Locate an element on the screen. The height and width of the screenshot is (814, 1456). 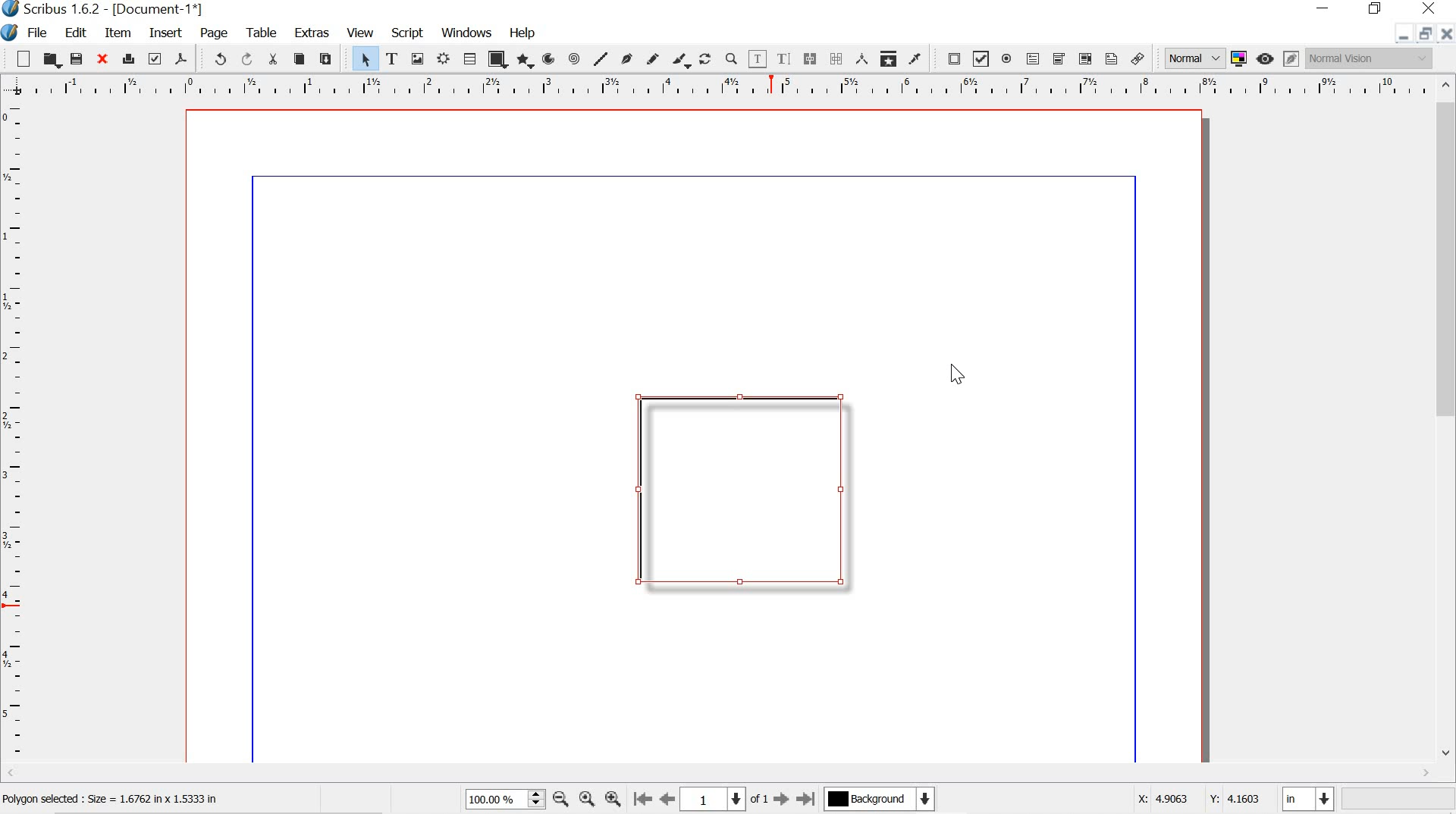
PREVIEW MODE is located at coordinates (1266, 58).